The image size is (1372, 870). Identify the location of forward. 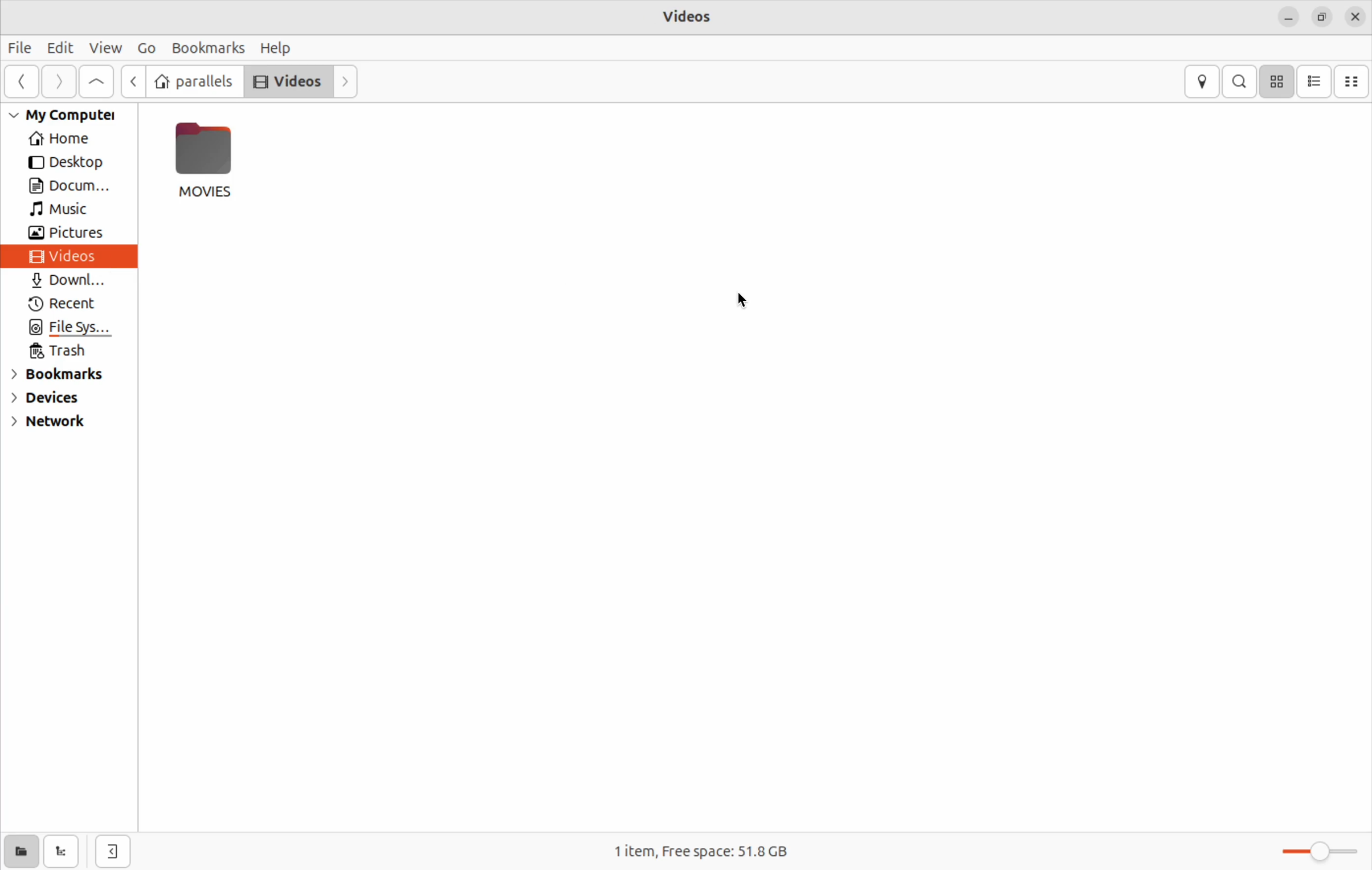
(59, 83).